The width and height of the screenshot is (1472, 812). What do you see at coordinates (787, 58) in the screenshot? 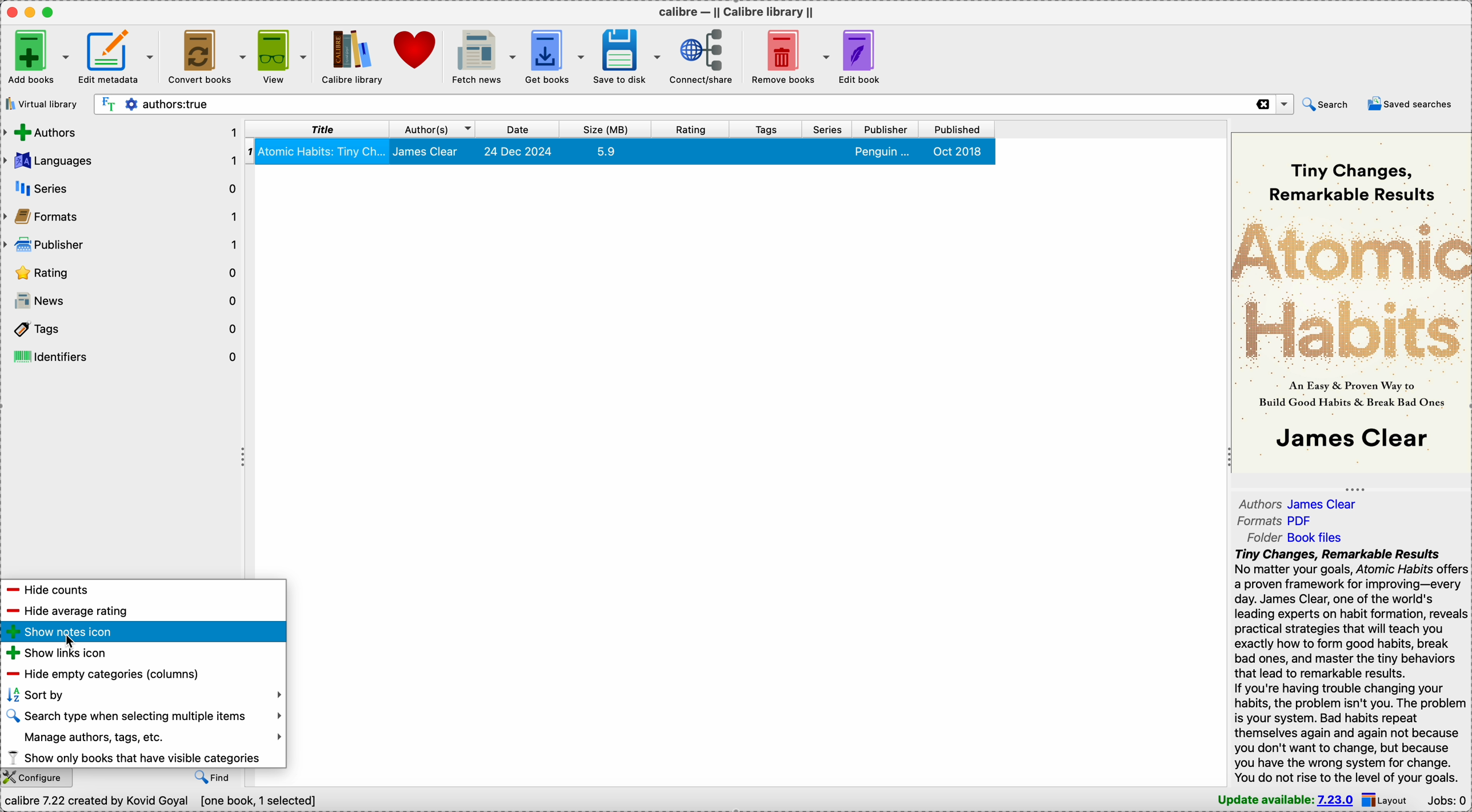
I see `remove books` at bounding box center [787, 58].